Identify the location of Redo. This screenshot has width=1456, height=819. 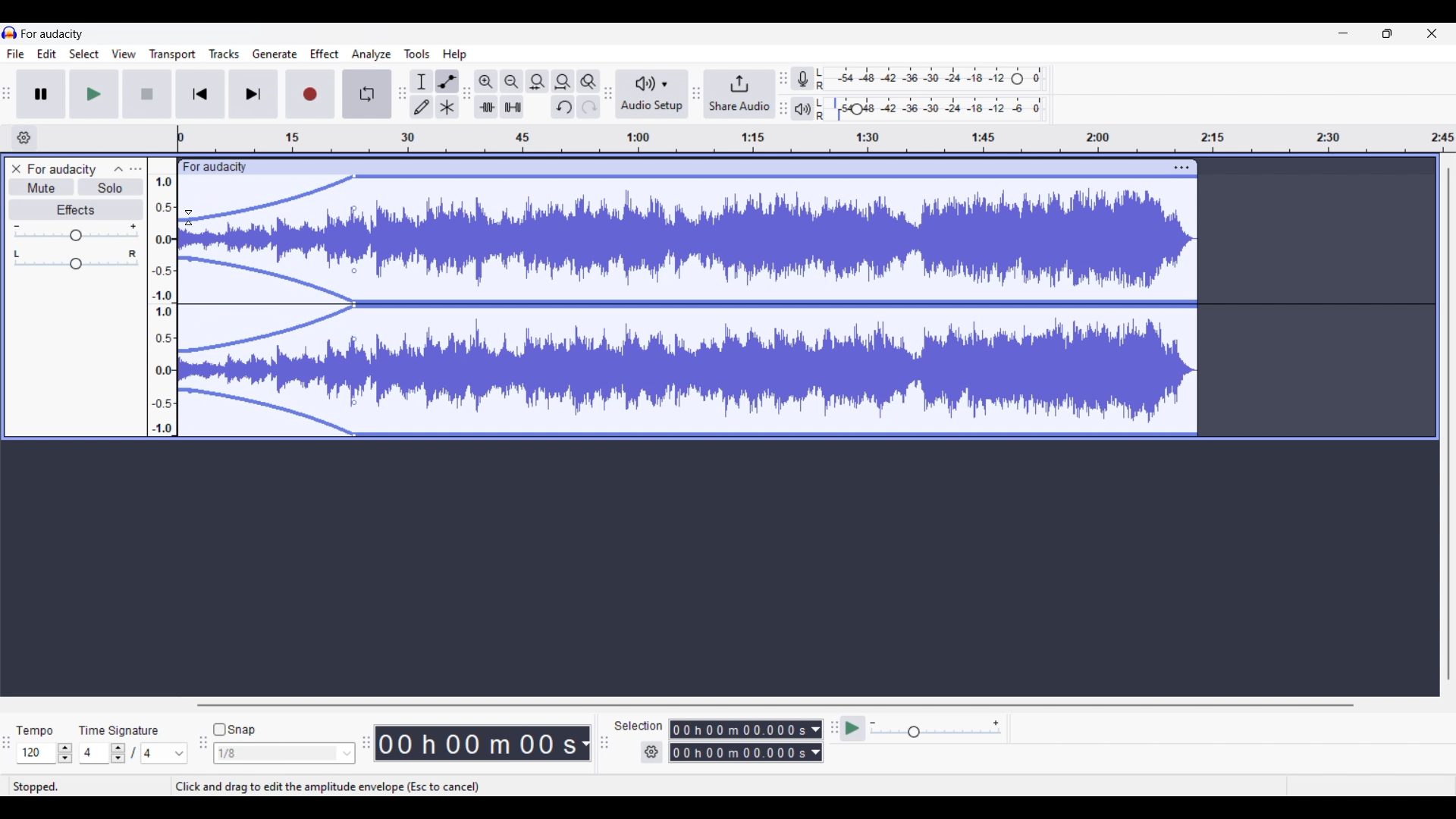
(589, 106).